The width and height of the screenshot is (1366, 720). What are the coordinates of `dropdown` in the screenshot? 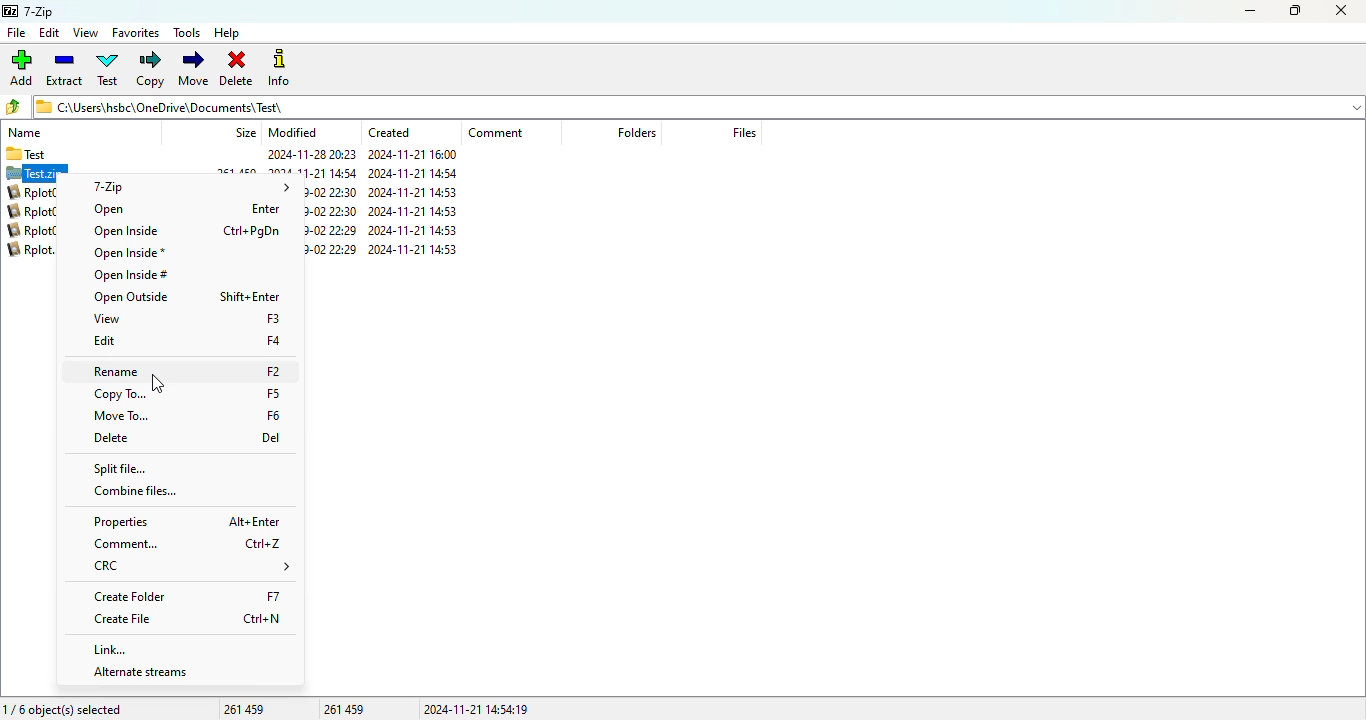 It's located at (1357, 106).